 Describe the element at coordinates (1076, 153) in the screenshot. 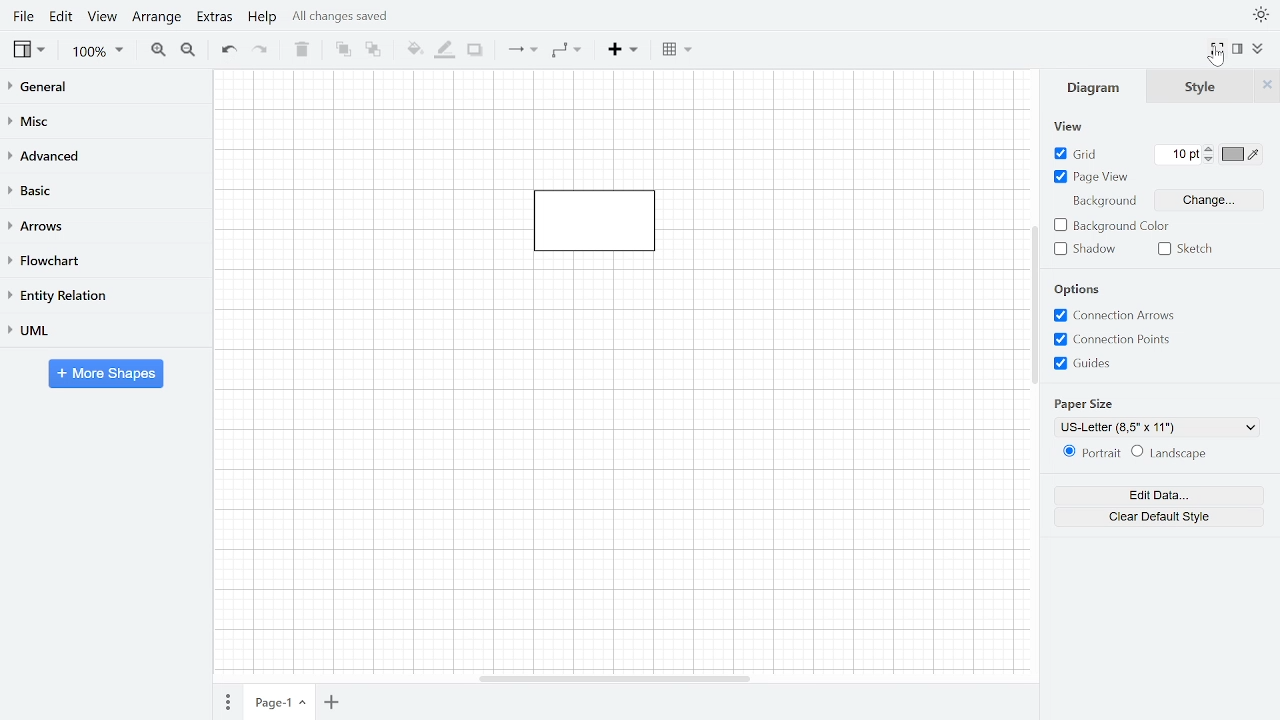

I see `Grid` at that location.